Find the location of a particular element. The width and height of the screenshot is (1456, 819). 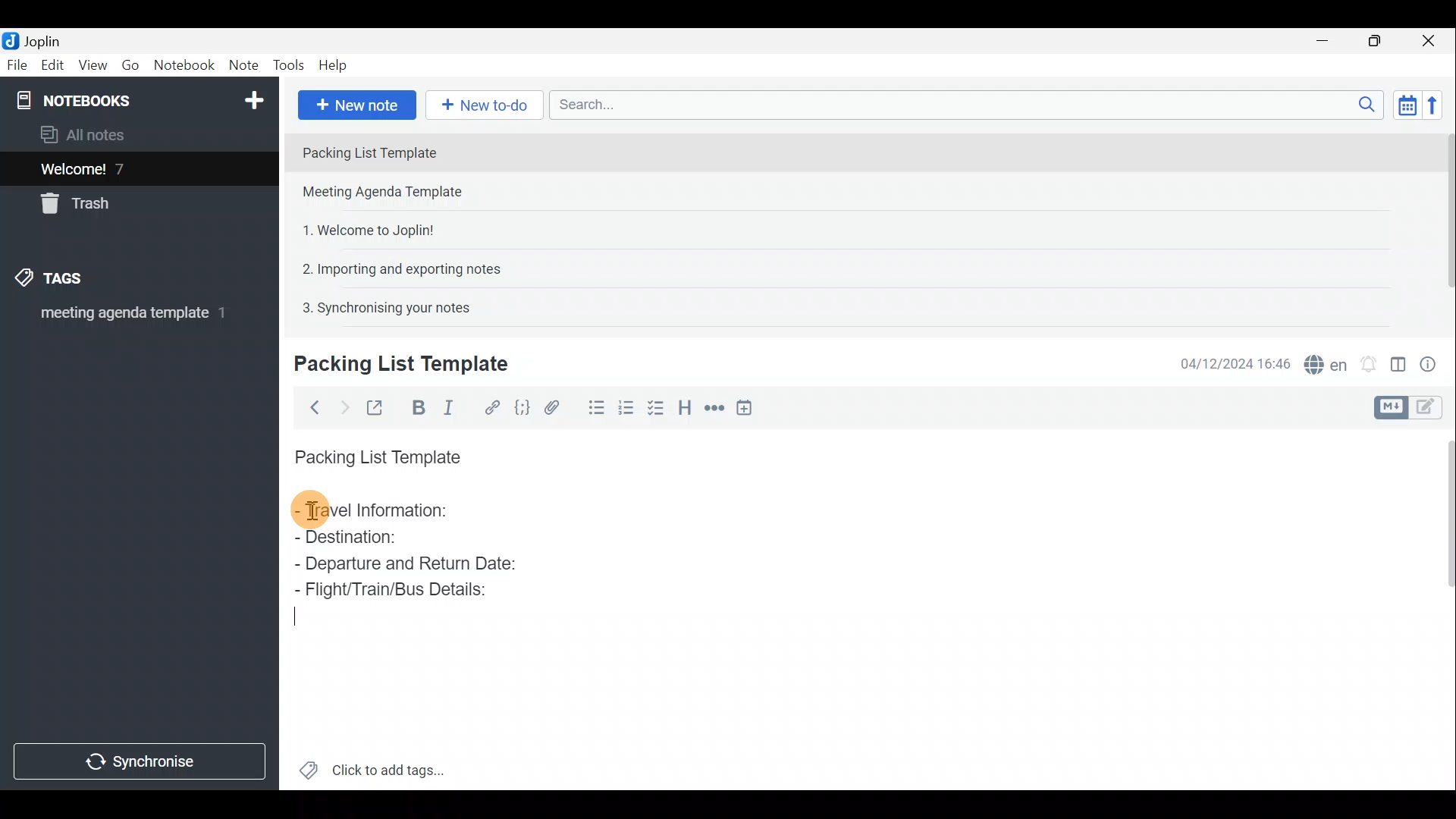

Help is located at coordinates (335, 67).